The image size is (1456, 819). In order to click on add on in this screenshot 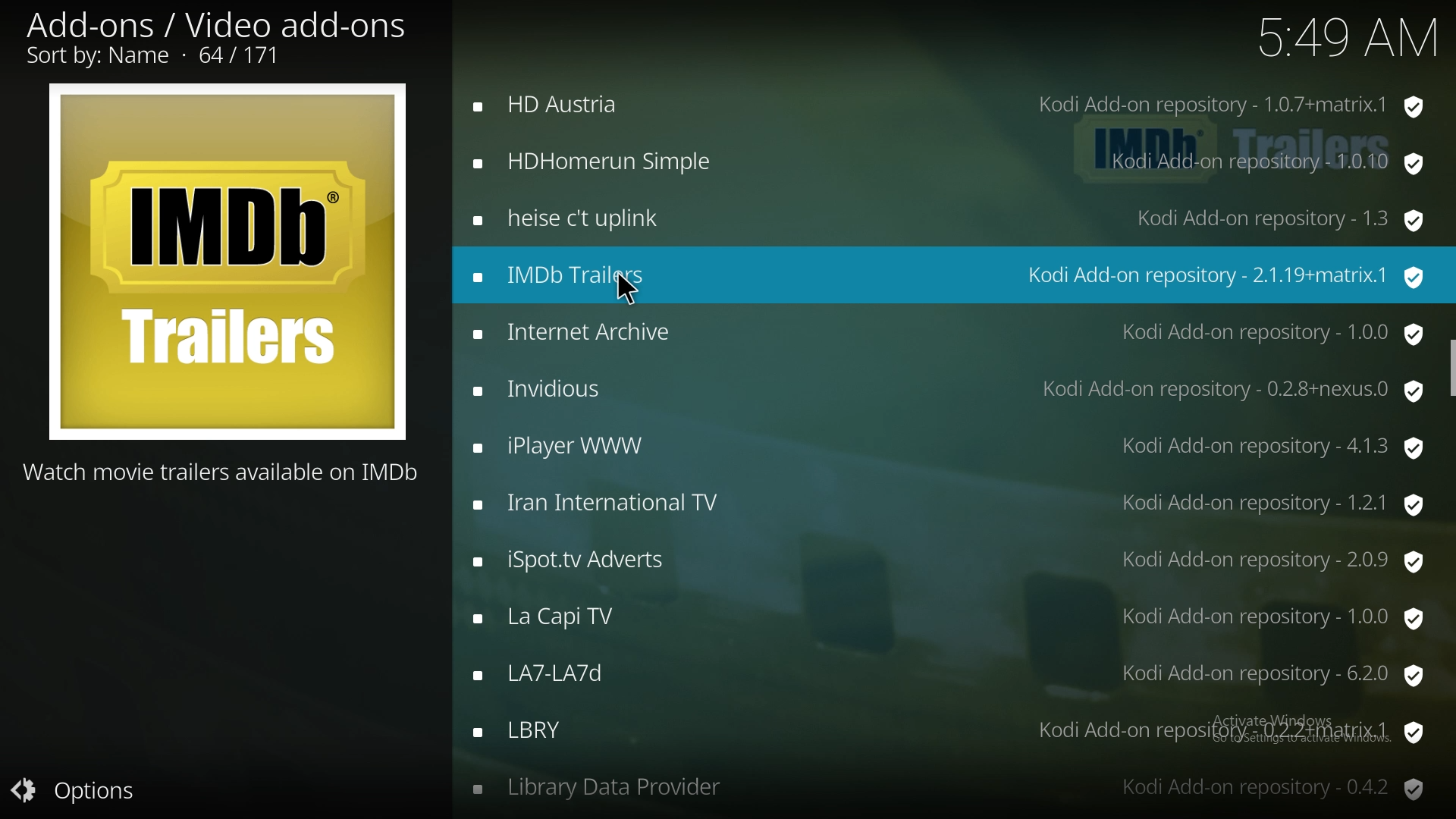, I will do `click(952, 218)`.